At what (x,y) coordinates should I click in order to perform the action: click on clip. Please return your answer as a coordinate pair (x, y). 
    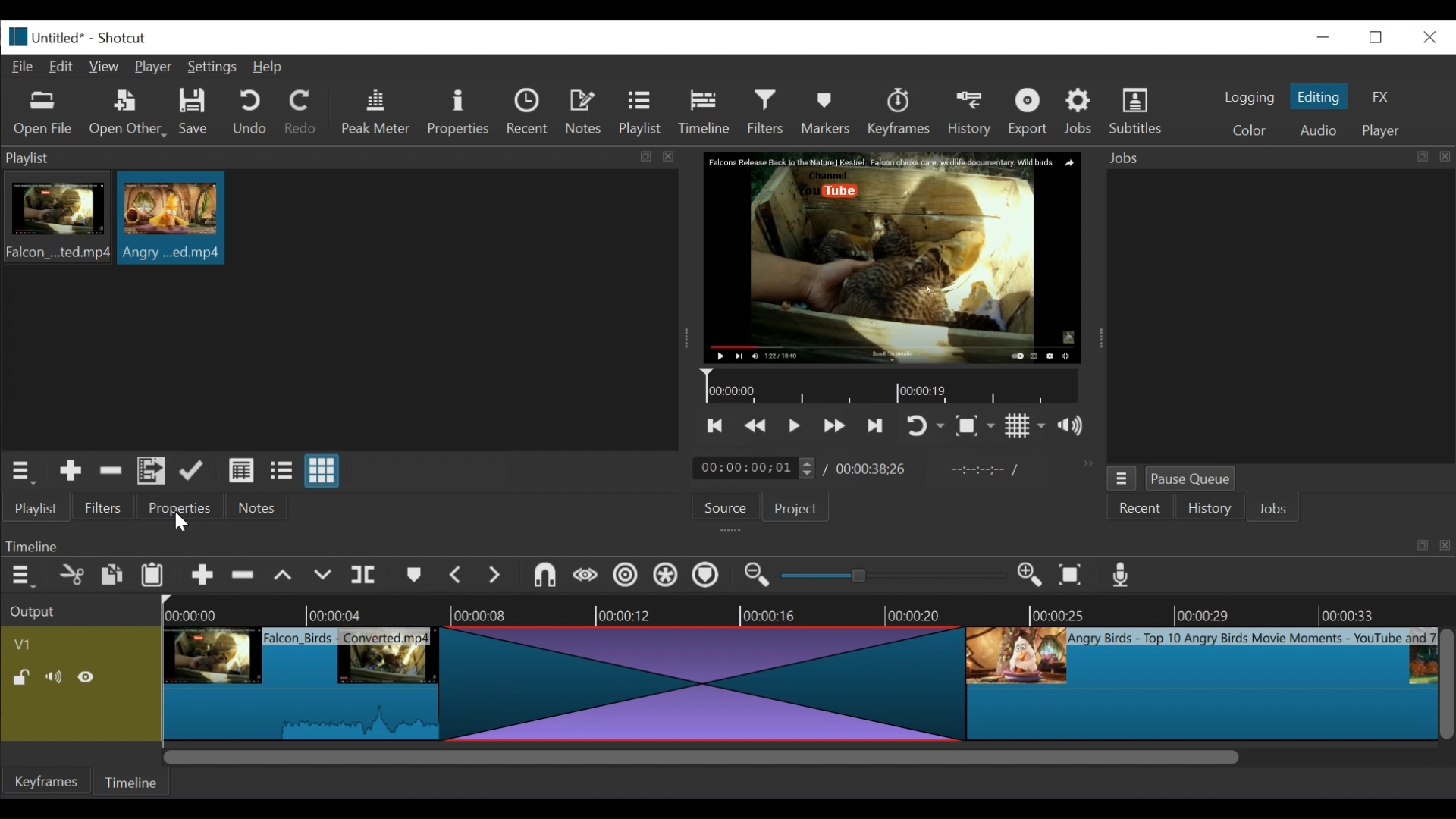
    Looking at the image, I should click on (55, 220).